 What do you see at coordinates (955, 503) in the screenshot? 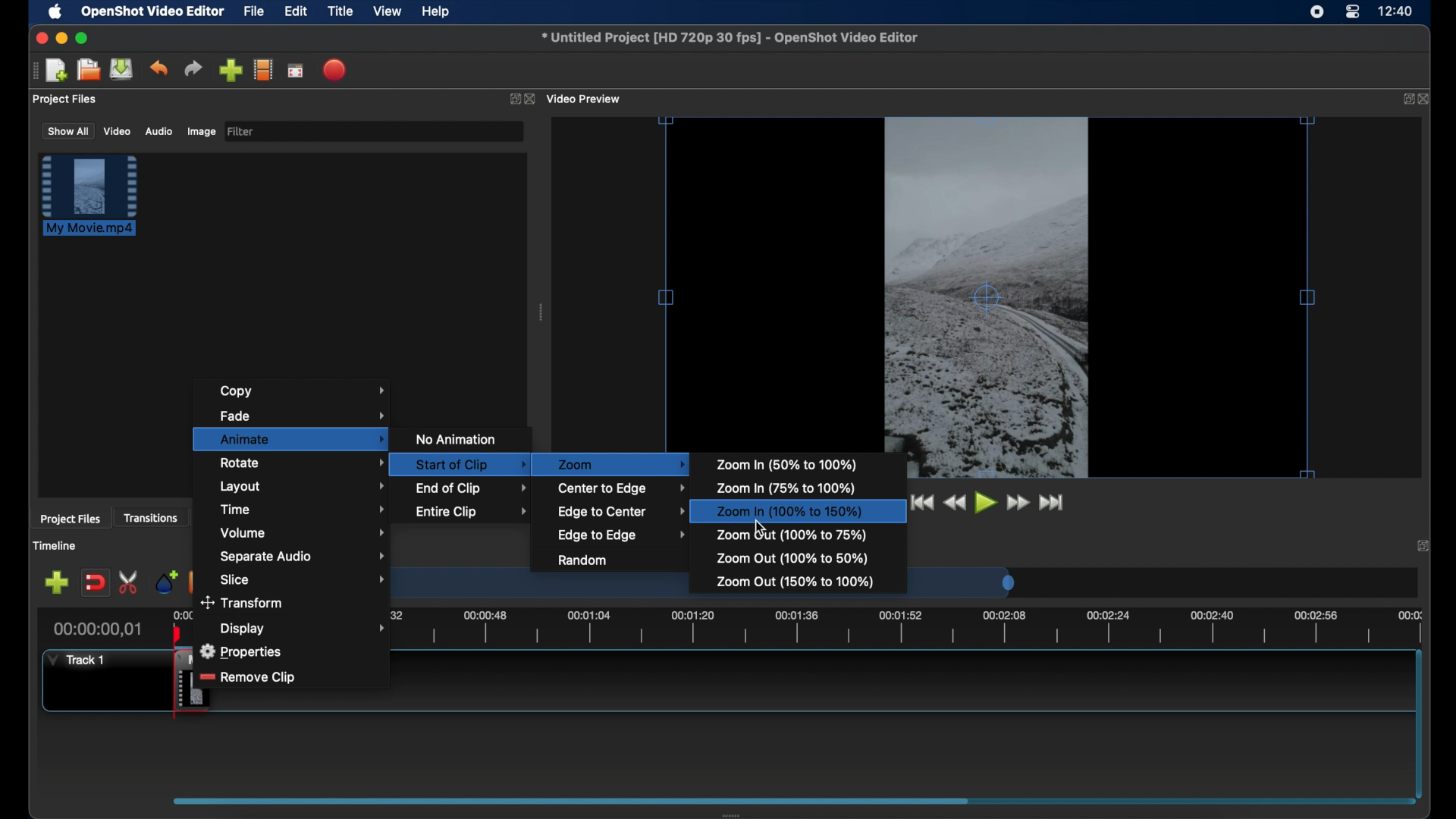
I see `rewind` at bounding box center [955, 503].